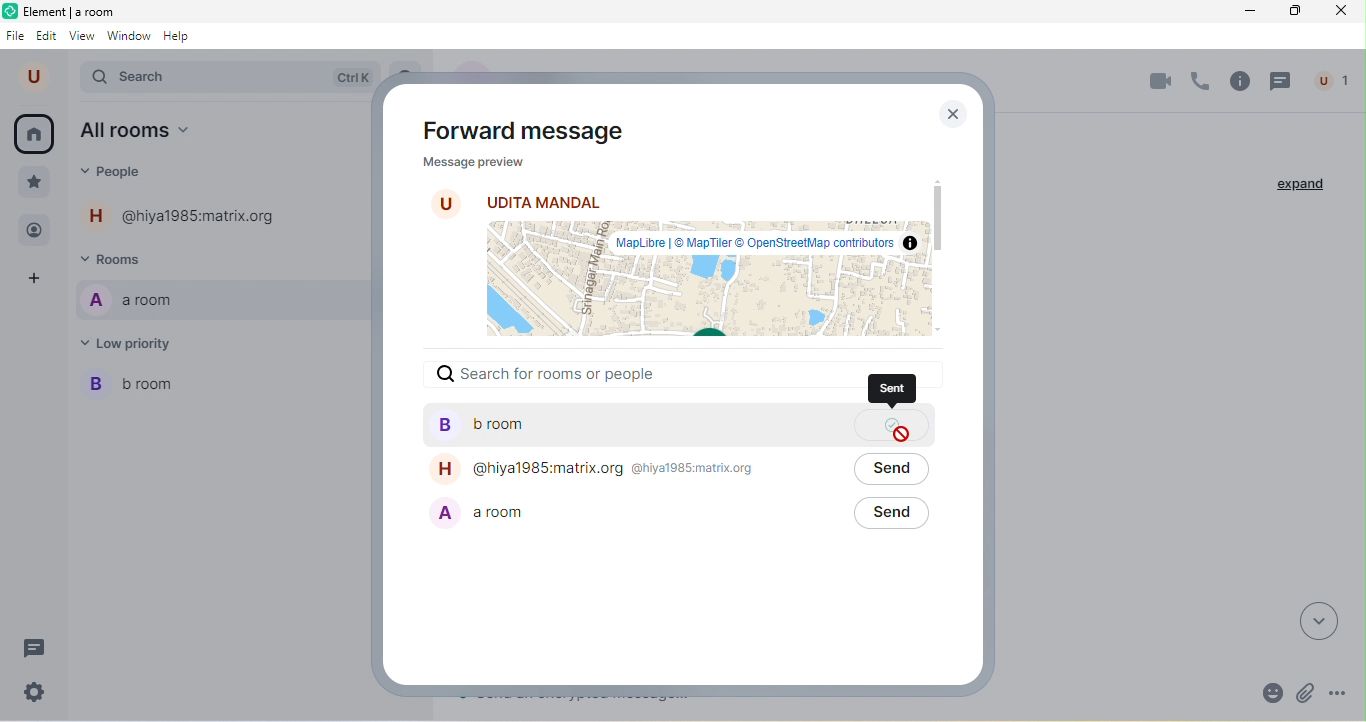 The width and height of the screenshot is (1366, 722). Describe the element at coordinates (37, 77) in the screenshot. I see `account` at that location.